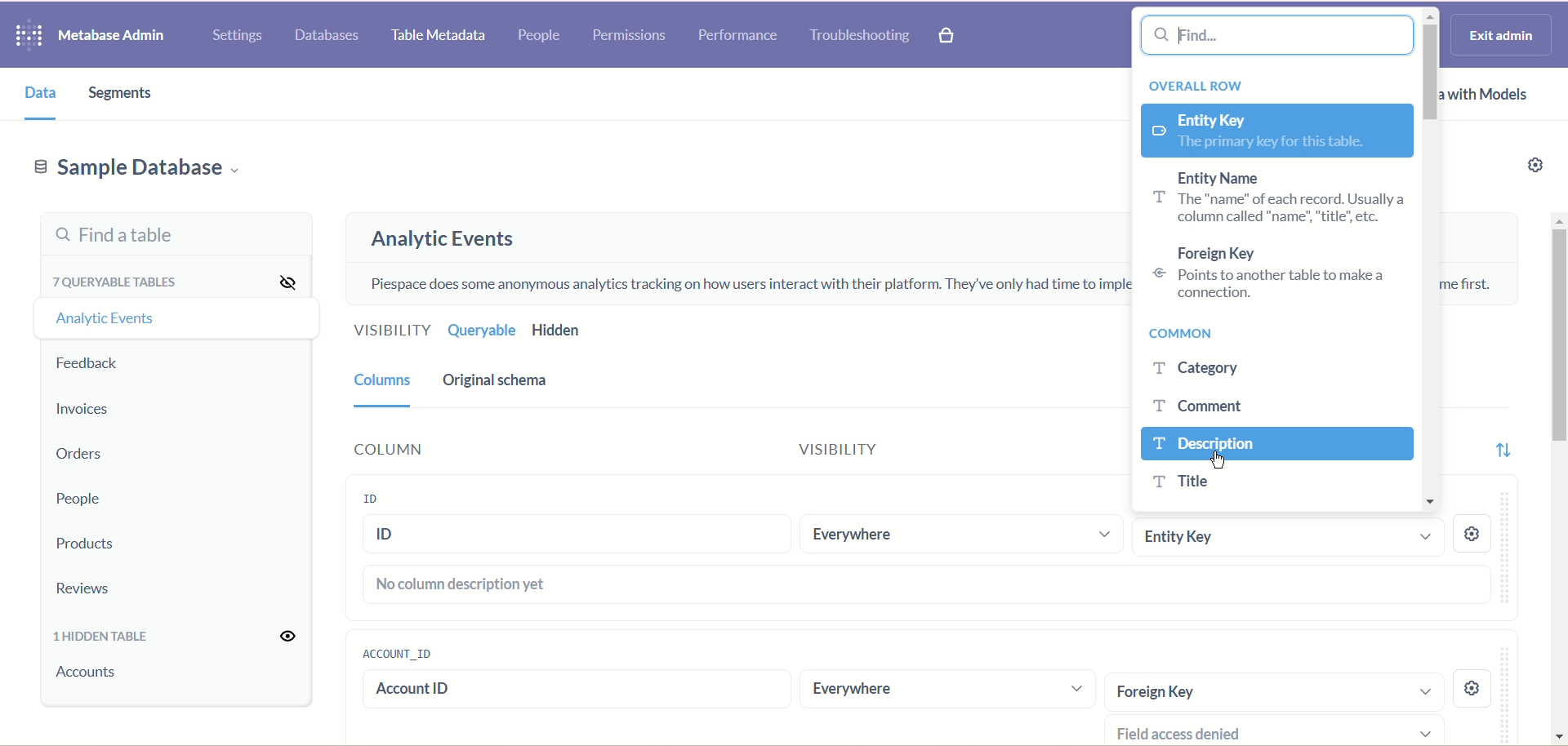 The height and width of the screenshot is (746, 1568). I want to click on field access denied, so click(1281, 730).